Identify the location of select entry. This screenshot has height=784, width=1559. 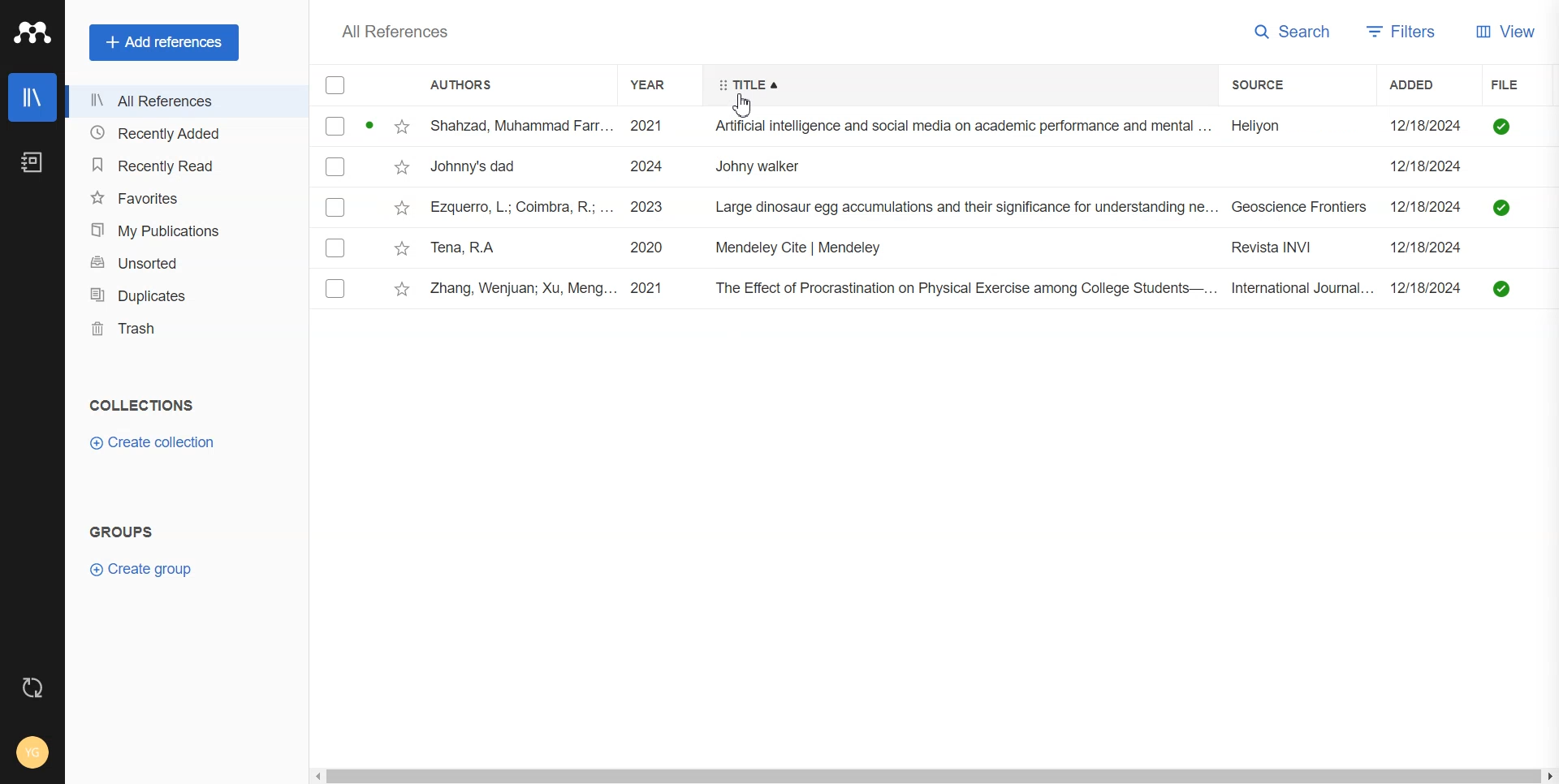
(335, 248).